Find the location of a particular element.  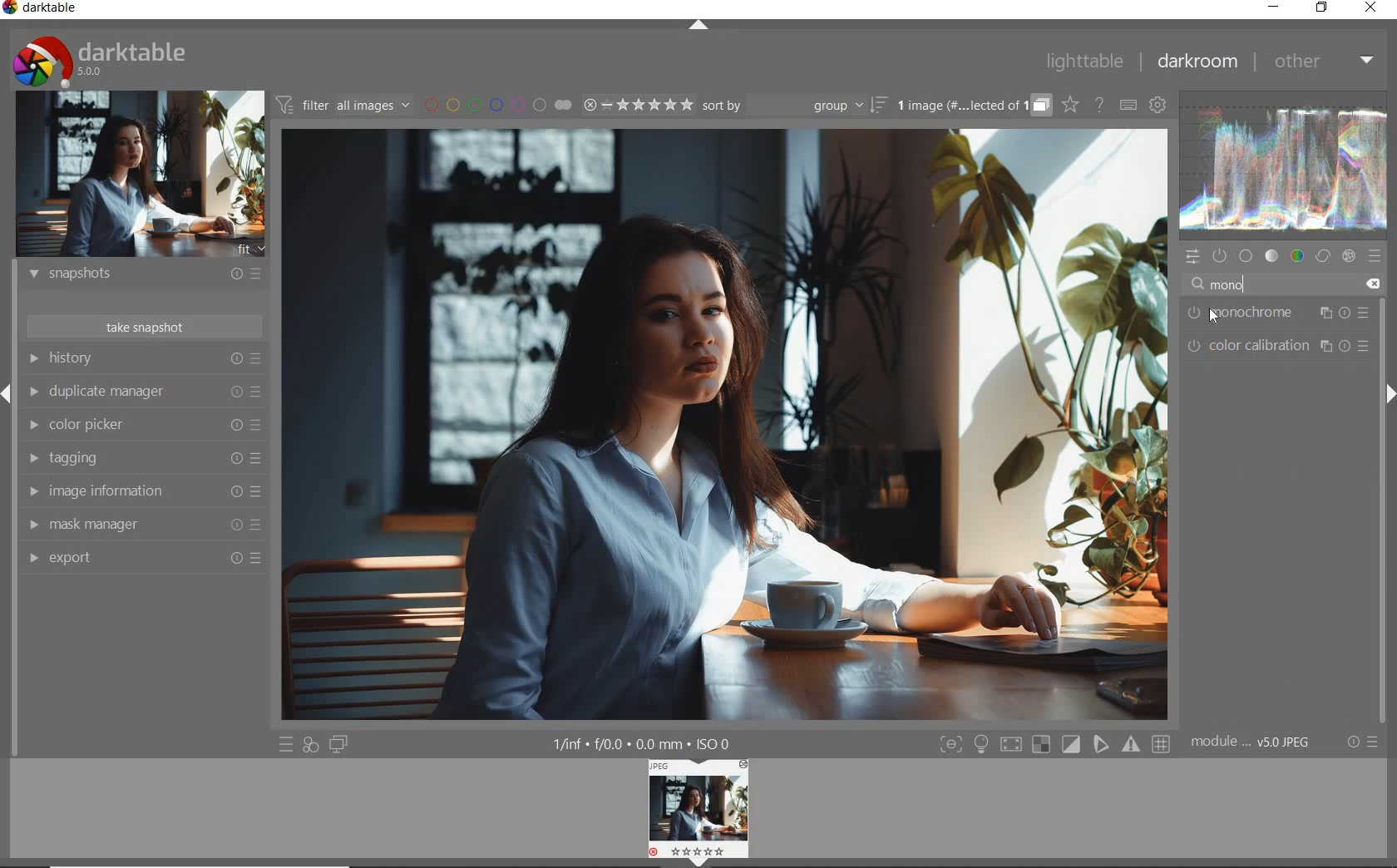

grouped images is located at coordinates (973, 106).